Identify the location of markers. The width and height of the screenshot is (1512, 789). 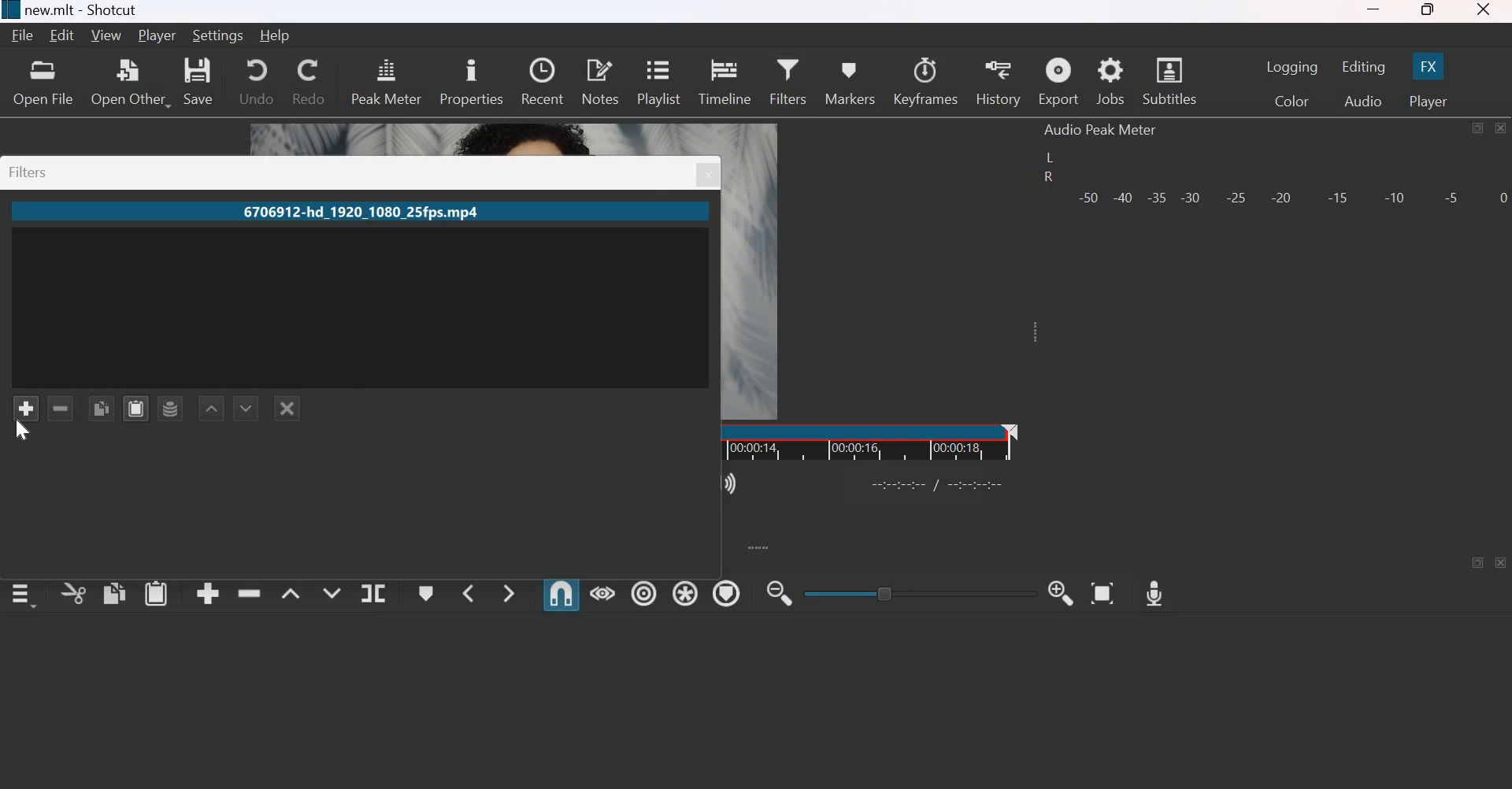
(848, 83).